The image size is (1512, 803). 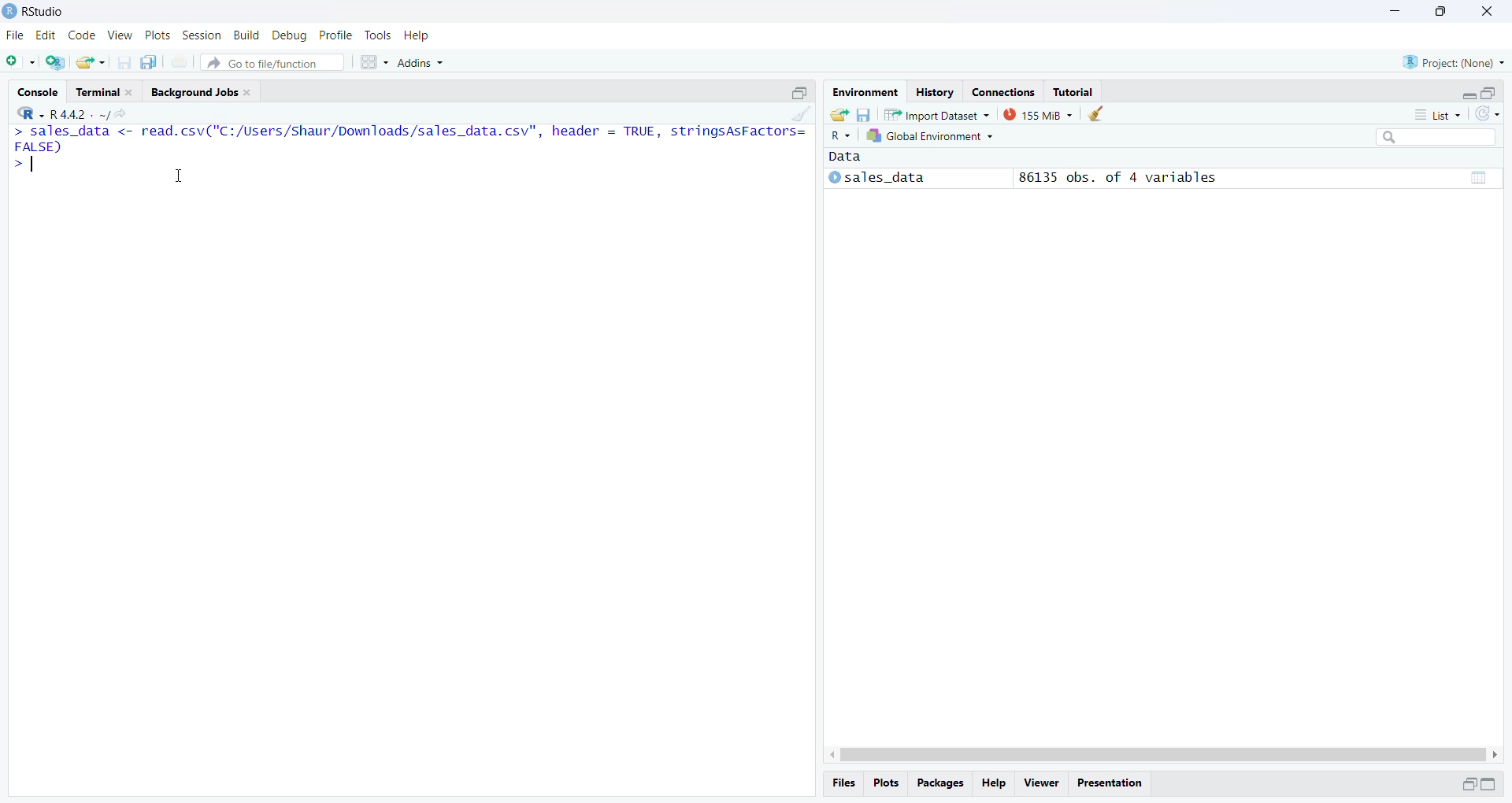 What do you see at coordinates (1480, 178) in the screenshot?
I see `Data` at bounding box center [1480, 178].